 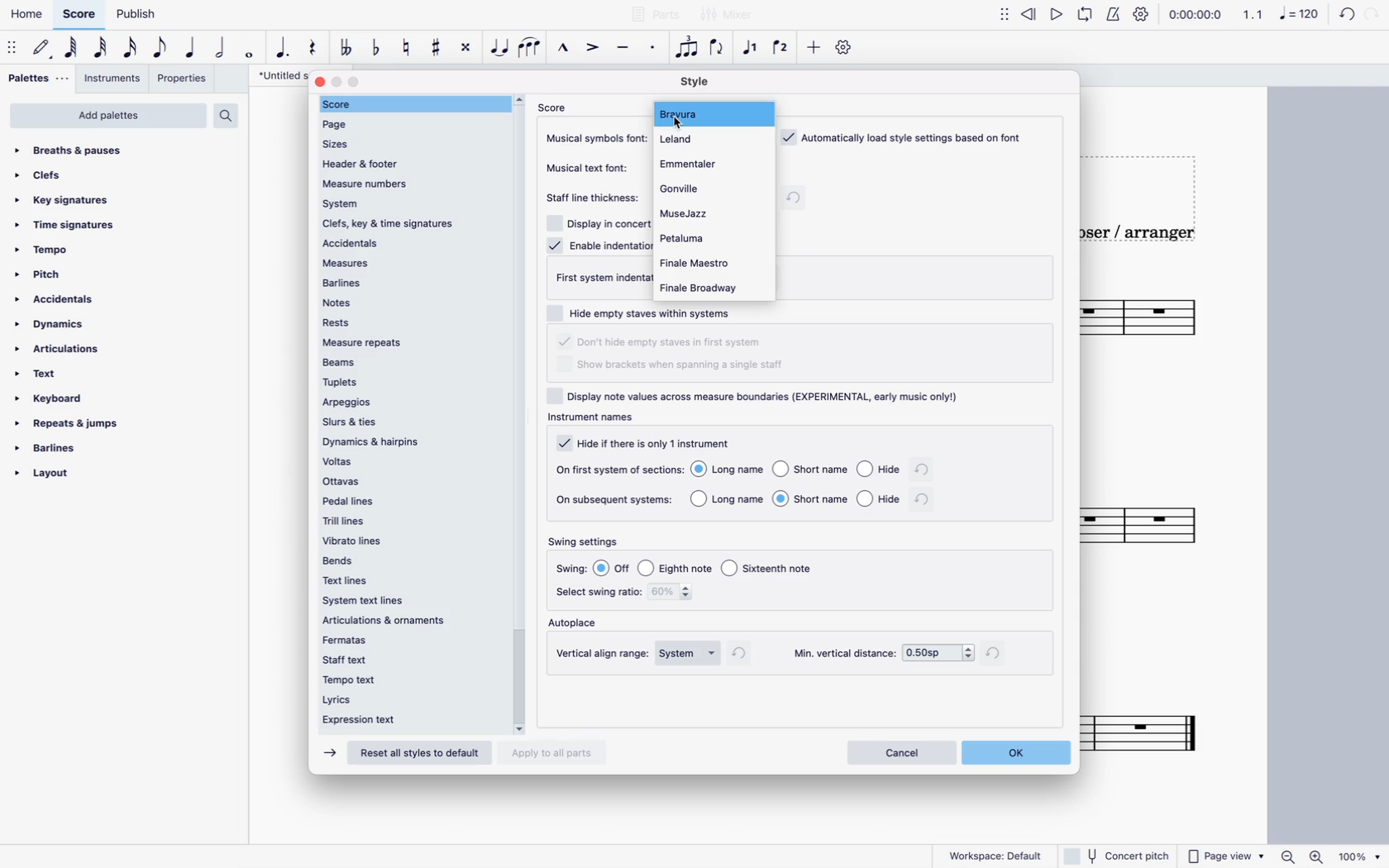 What do you see at coordinates (354, 82) in the screenshot?
I see `maximize` at bounding box center [354, 82].